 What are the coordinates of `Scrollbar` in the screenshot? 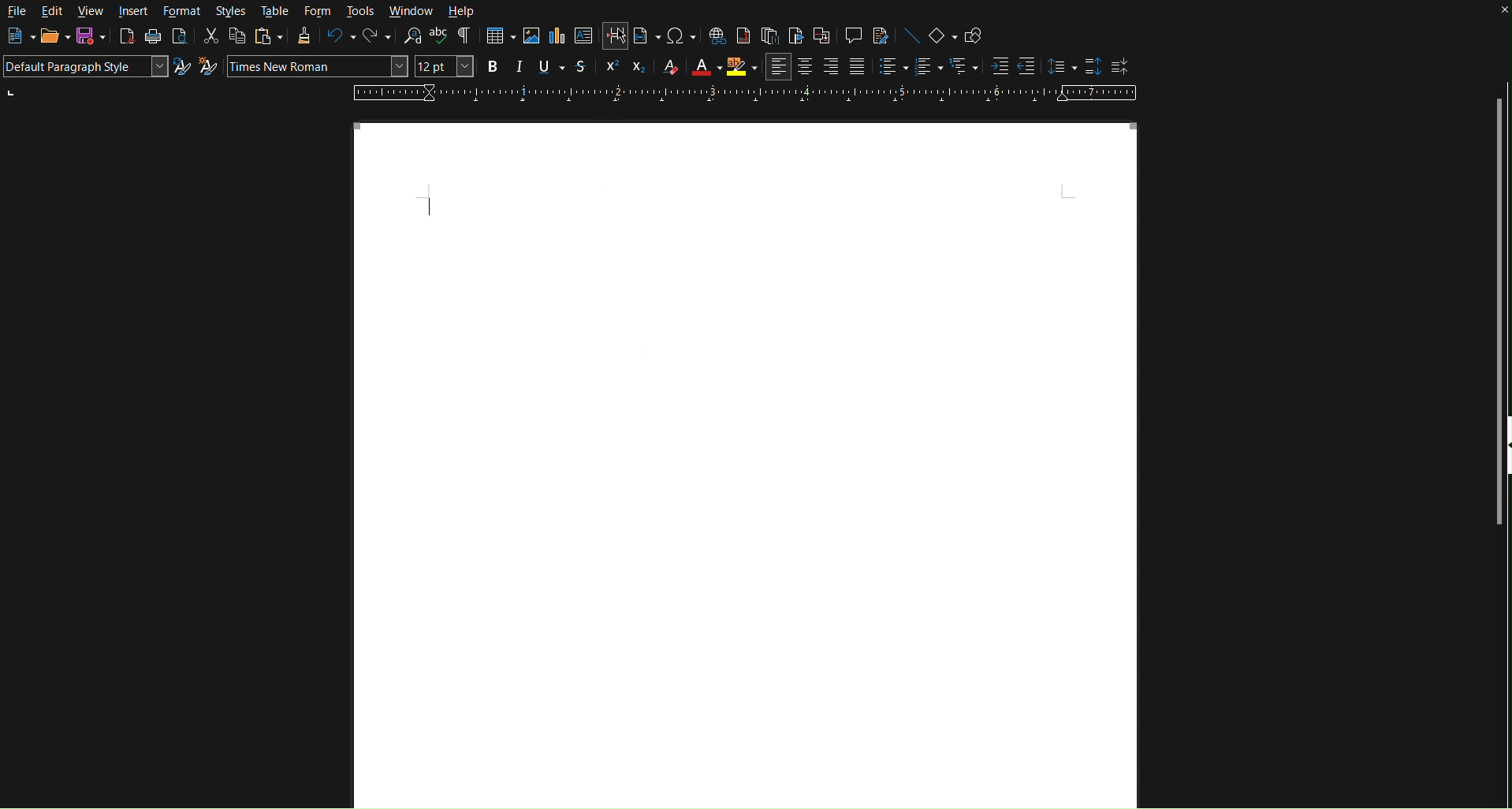 It's located at (1501, 251).